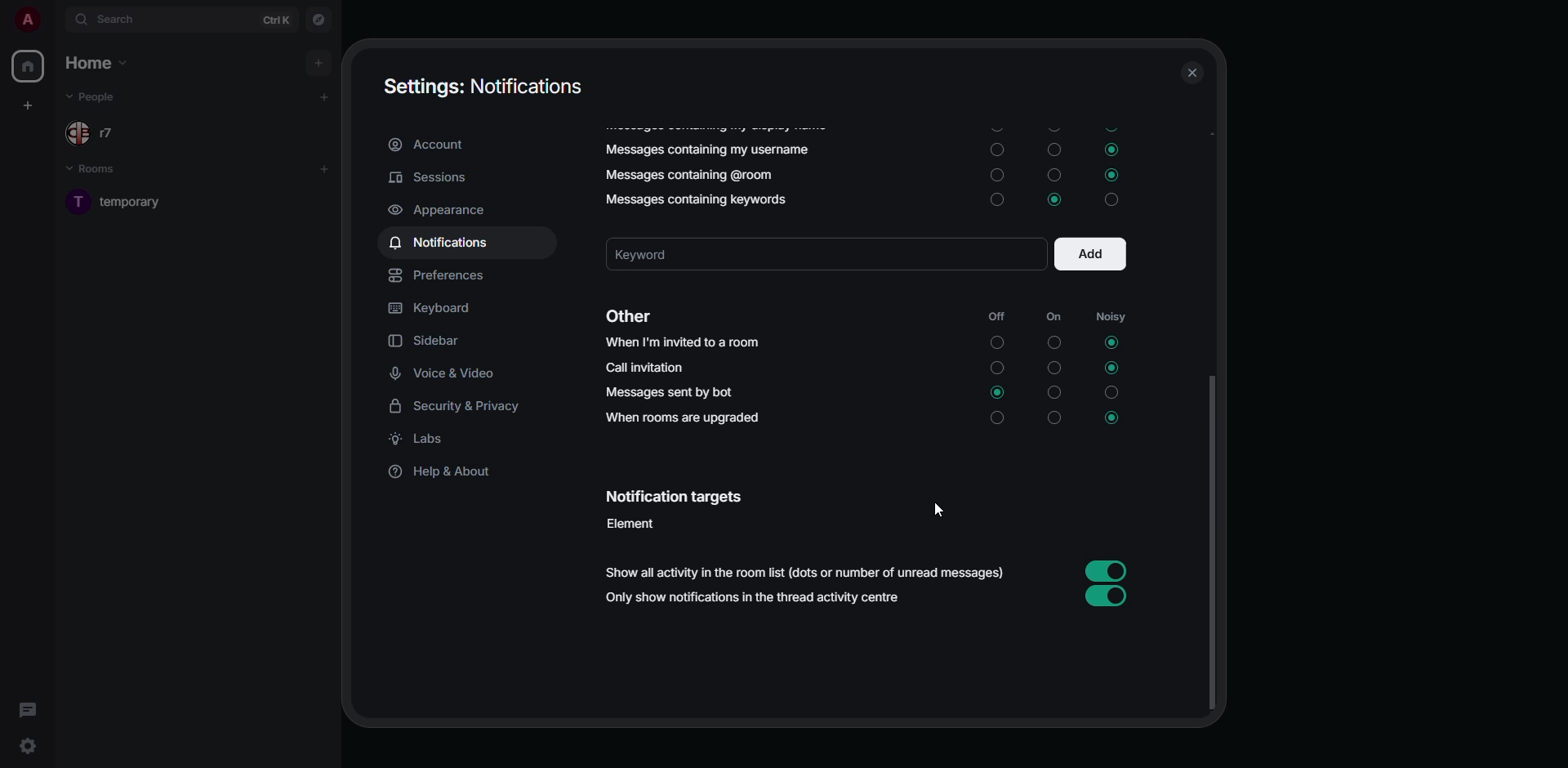 The width and height of the screenshot is (1568, 768). Describe the element at coordinates (275, 19) in the screenshot. I see `ctrl K` at that location.